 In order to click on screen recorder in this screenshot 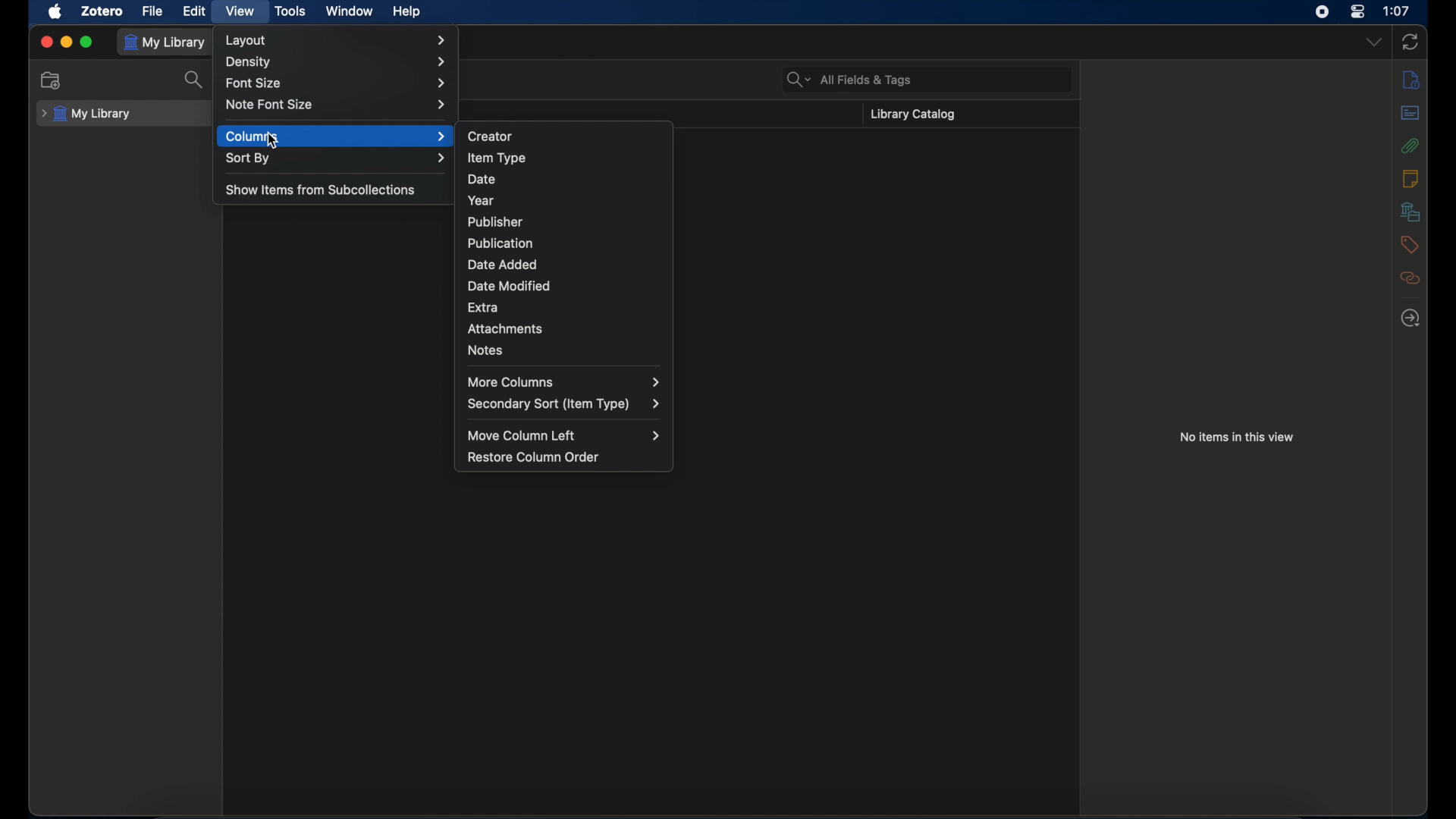, I will do `click(1321, 11)`.